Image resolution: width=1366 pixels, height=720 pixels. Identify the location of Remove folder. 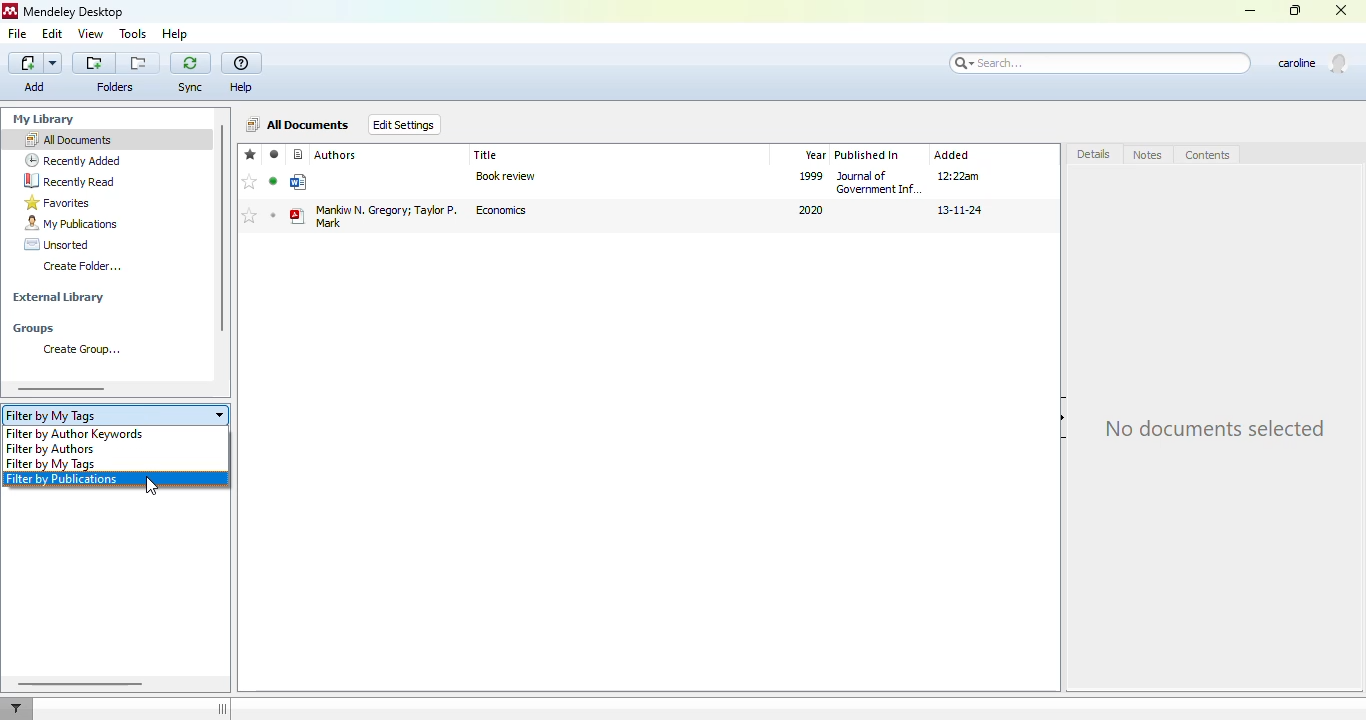
(138, 63).